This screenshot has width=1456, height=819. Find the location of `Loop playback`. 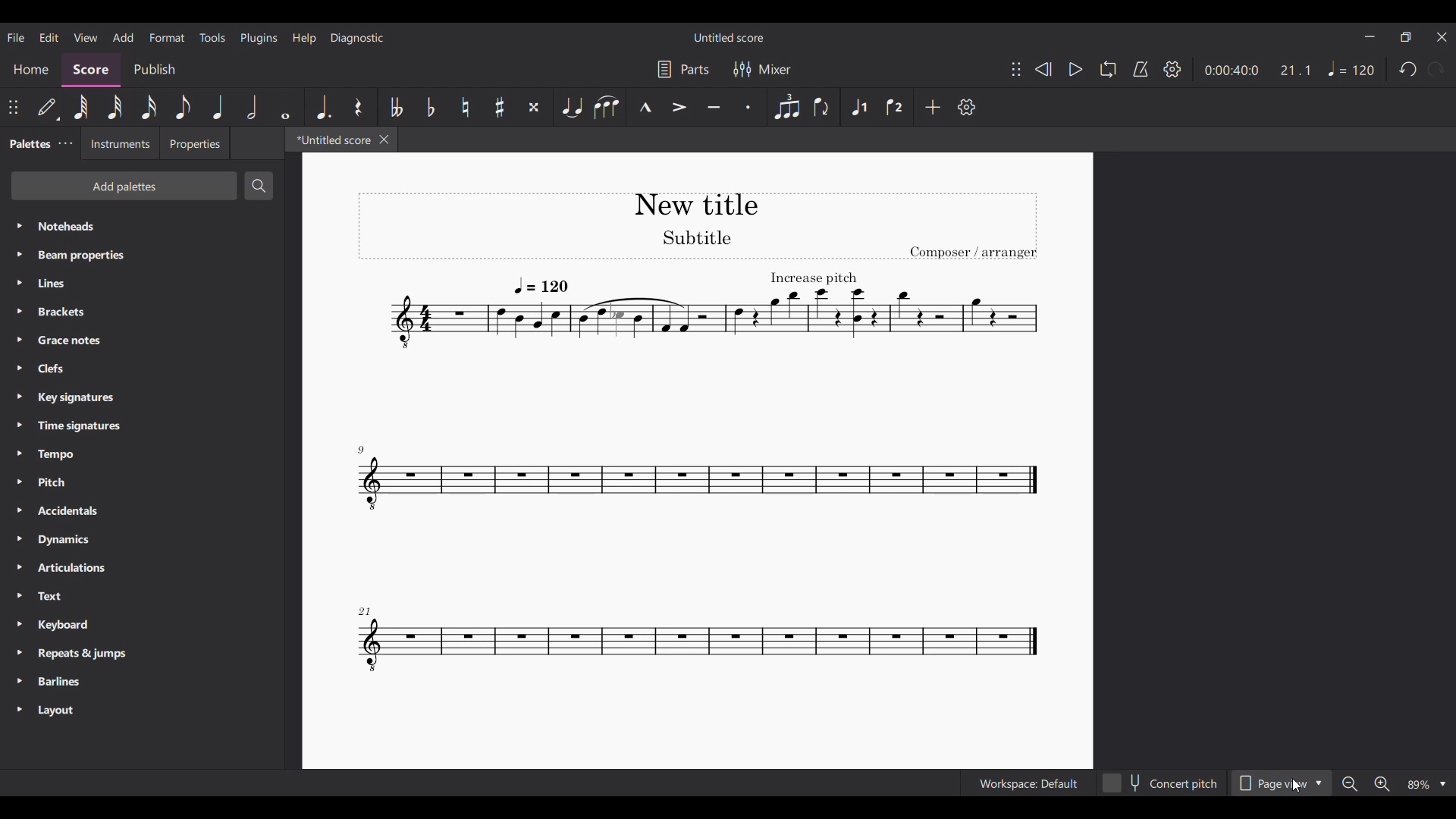

Loop playback is located at coordinates (1108, 69).